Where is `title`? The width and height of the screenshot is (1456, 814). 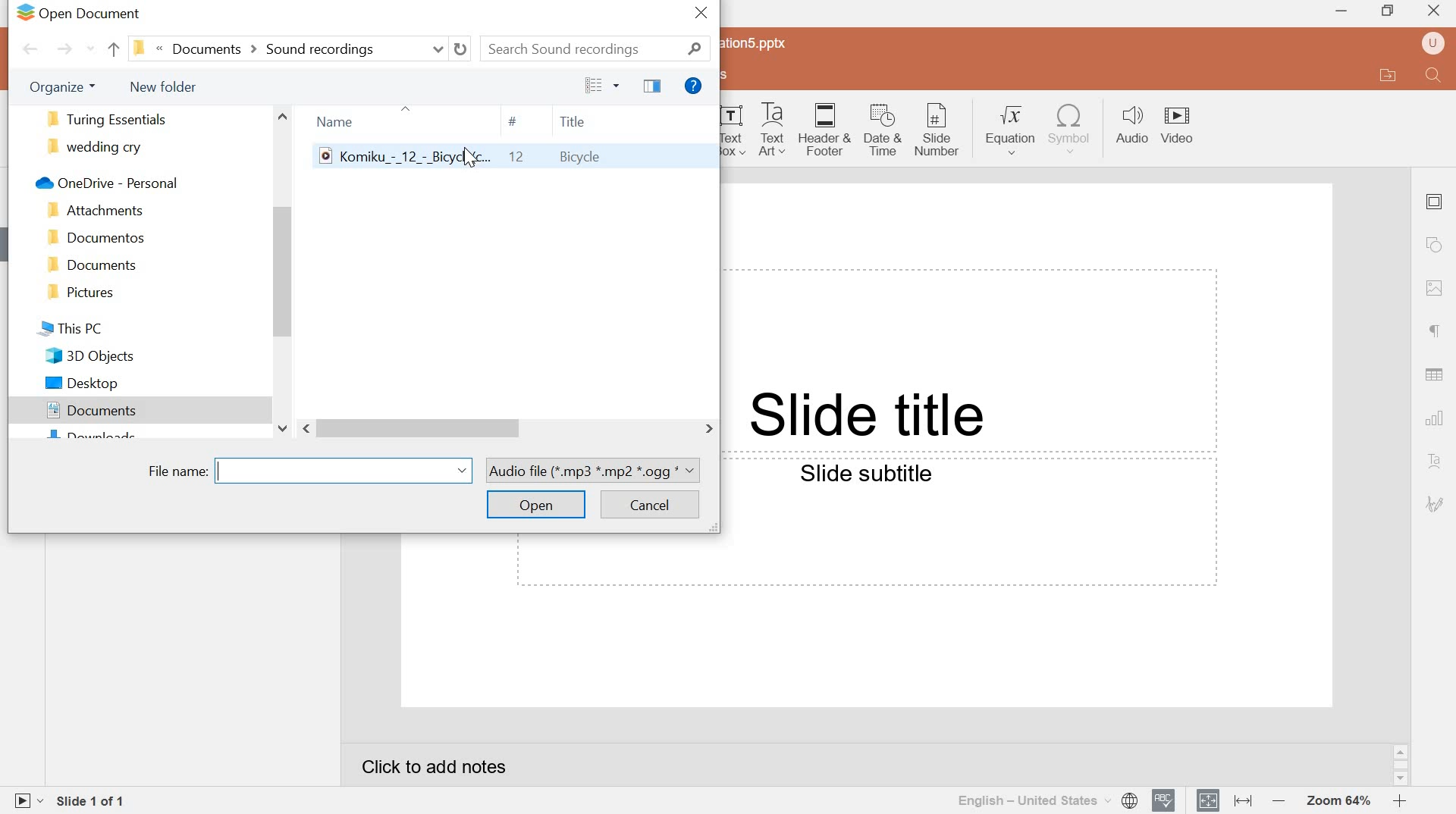
title is located at coordinates (575, 119).